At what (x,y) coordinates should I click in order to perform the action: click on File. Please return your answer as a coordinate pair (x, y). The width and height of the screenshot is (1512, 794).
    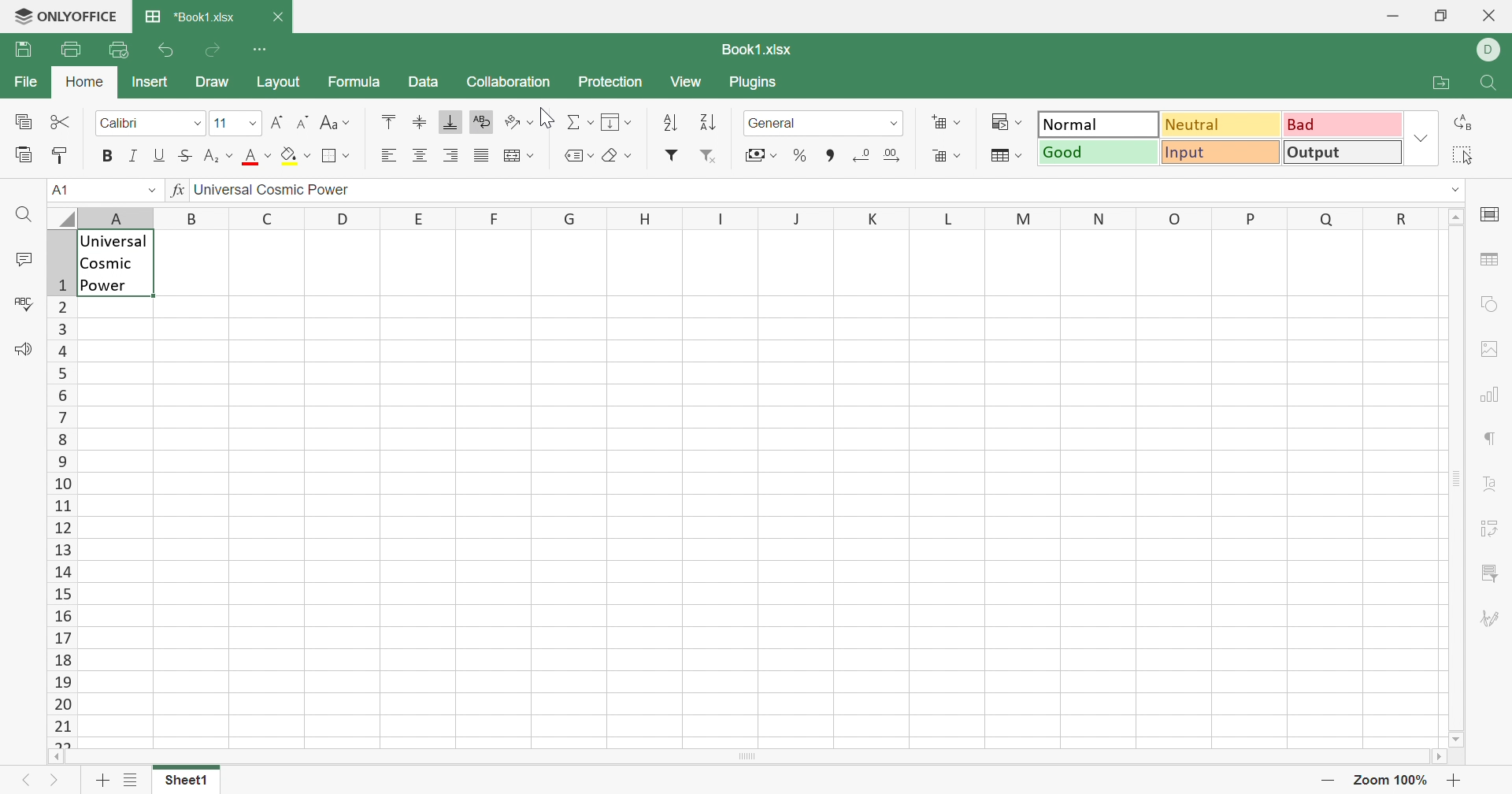
    Looking at the image, I should click on (26, 83).